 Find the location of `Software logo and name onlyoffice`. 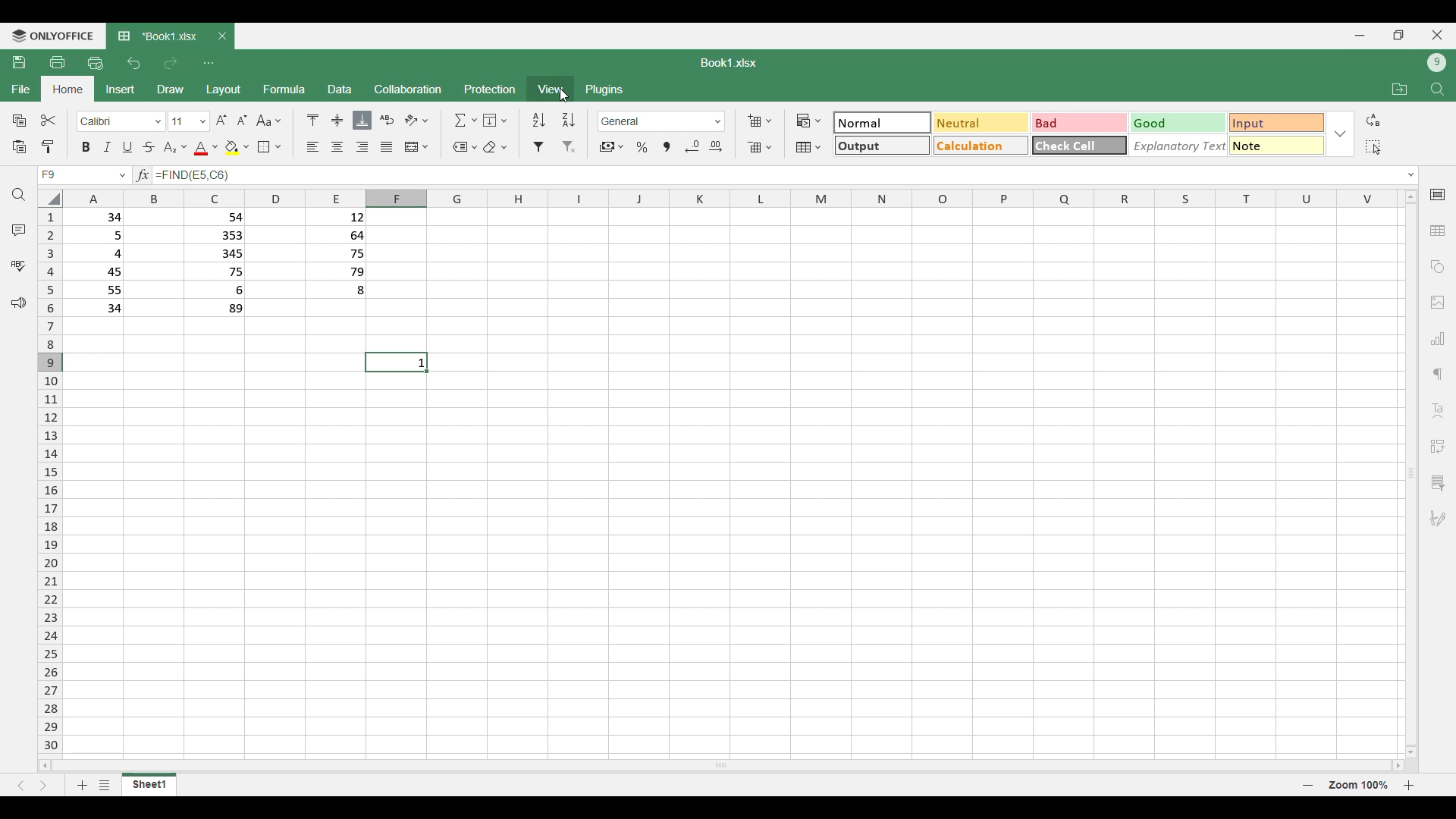

Software logo and name onlyoffice is located at coordinates (52, 36).